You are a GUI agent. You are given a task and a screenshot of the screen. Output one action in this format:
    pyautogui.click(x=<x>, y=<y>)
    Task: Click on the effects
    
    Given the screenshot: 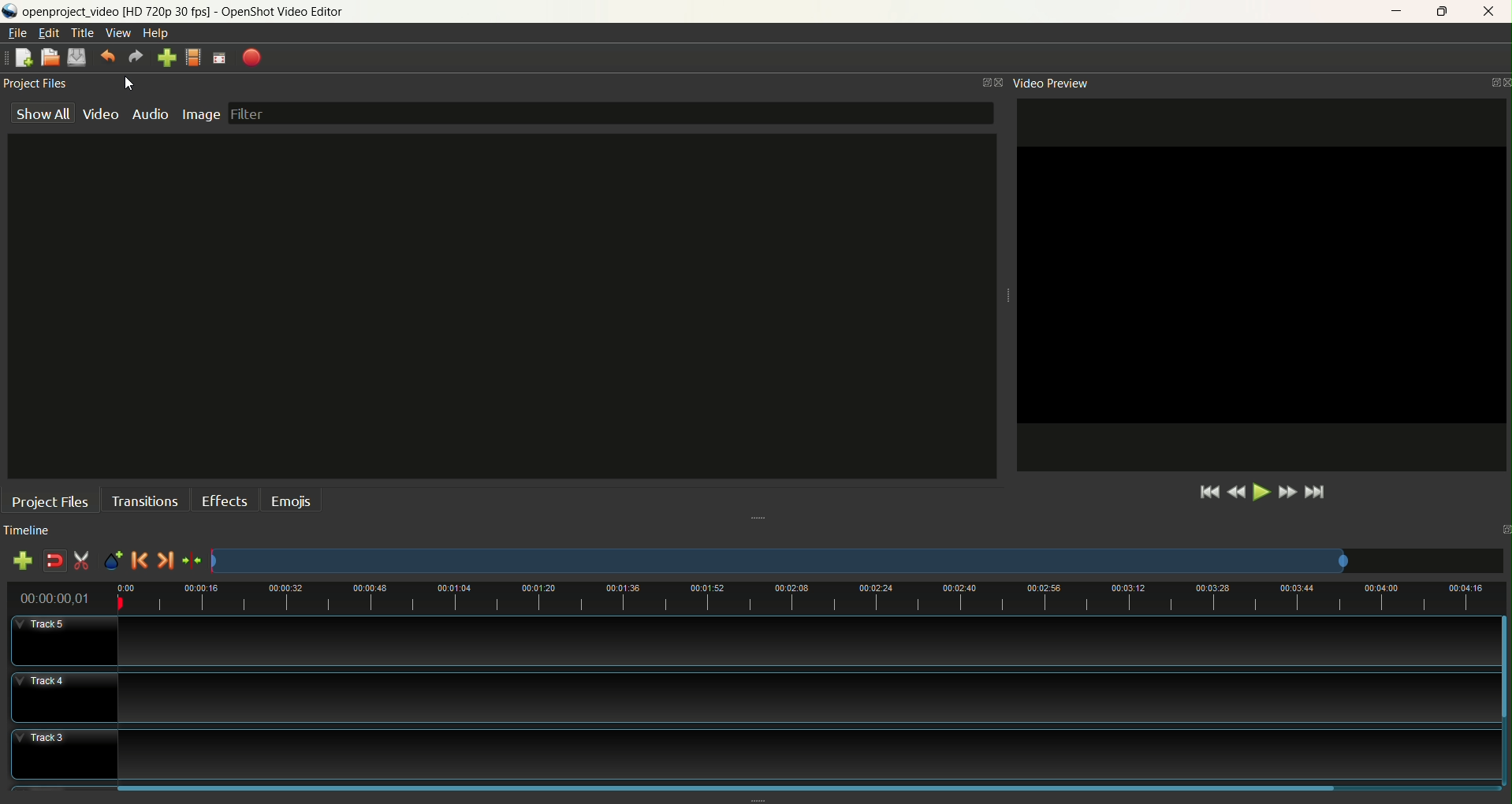 What is the action you would take?
    pyautogui.click(x=222, y=504)
    